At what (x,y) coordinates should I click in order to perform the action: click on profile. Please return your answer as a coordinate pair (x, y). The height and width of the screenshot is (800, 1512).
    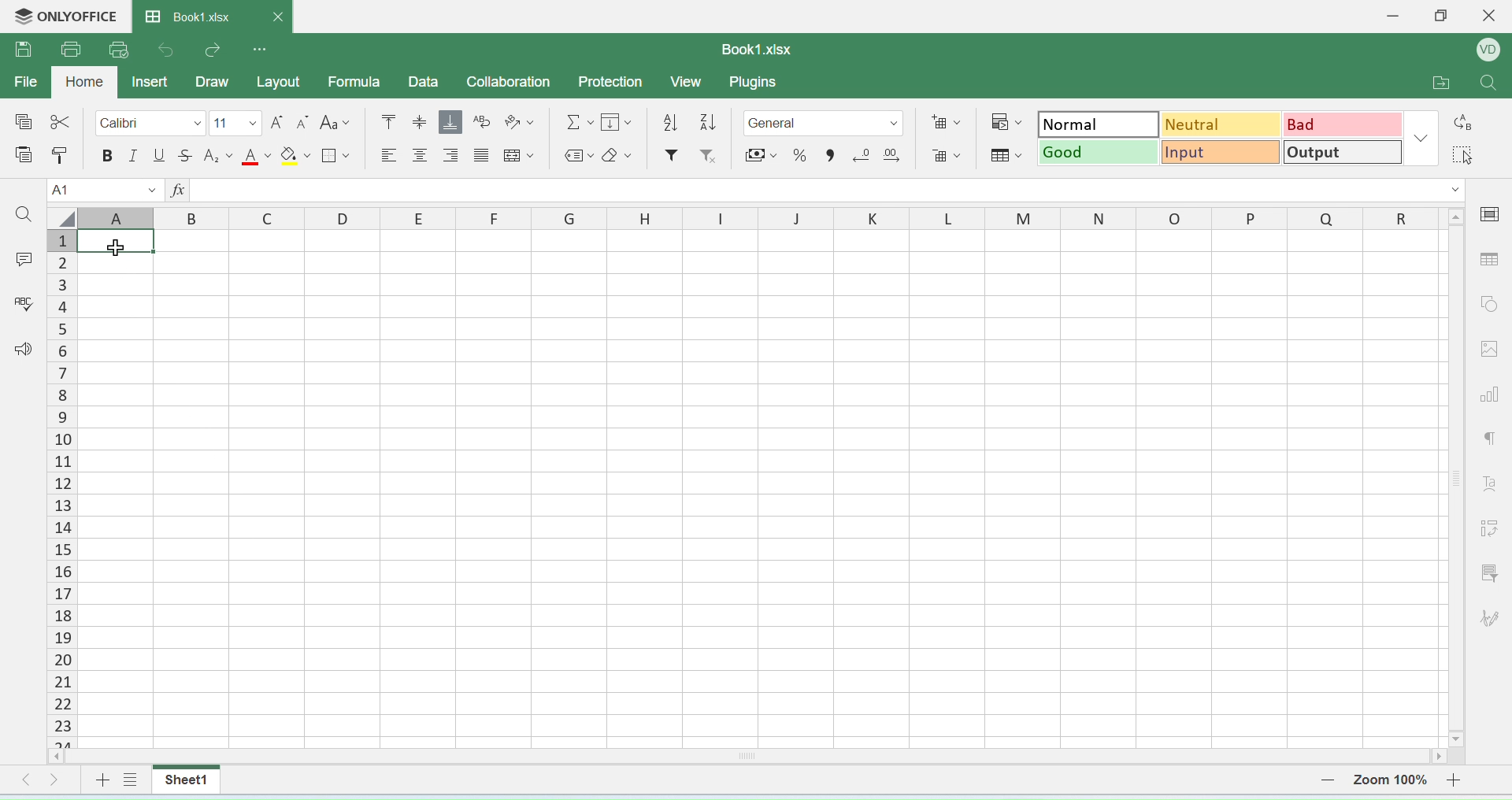
    Looking at the image, I should click on (1489, 49).